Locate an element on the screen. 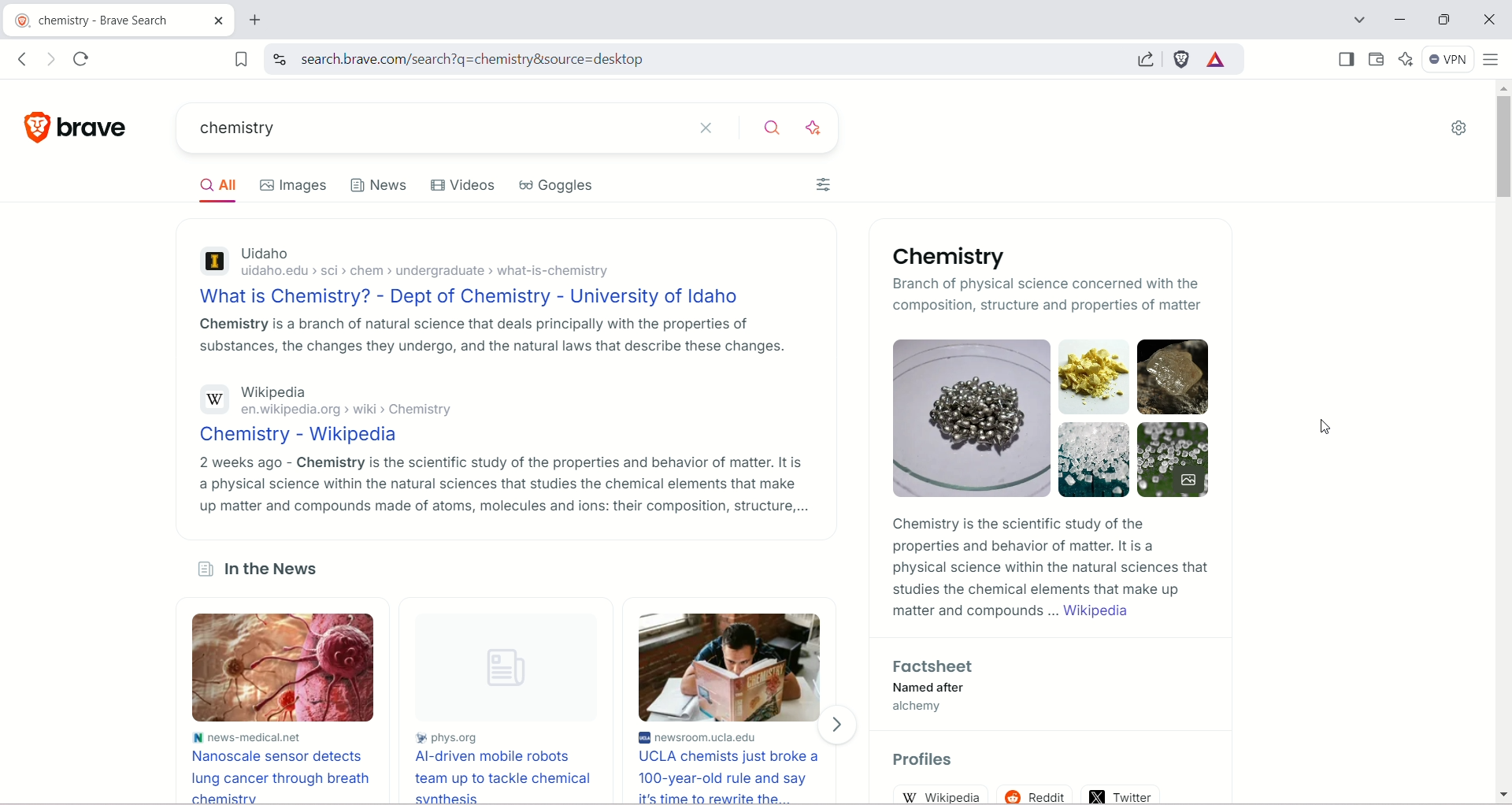 This screenshot has width=1512, height=805. show sidebar is located at coordinates (1345, 59).